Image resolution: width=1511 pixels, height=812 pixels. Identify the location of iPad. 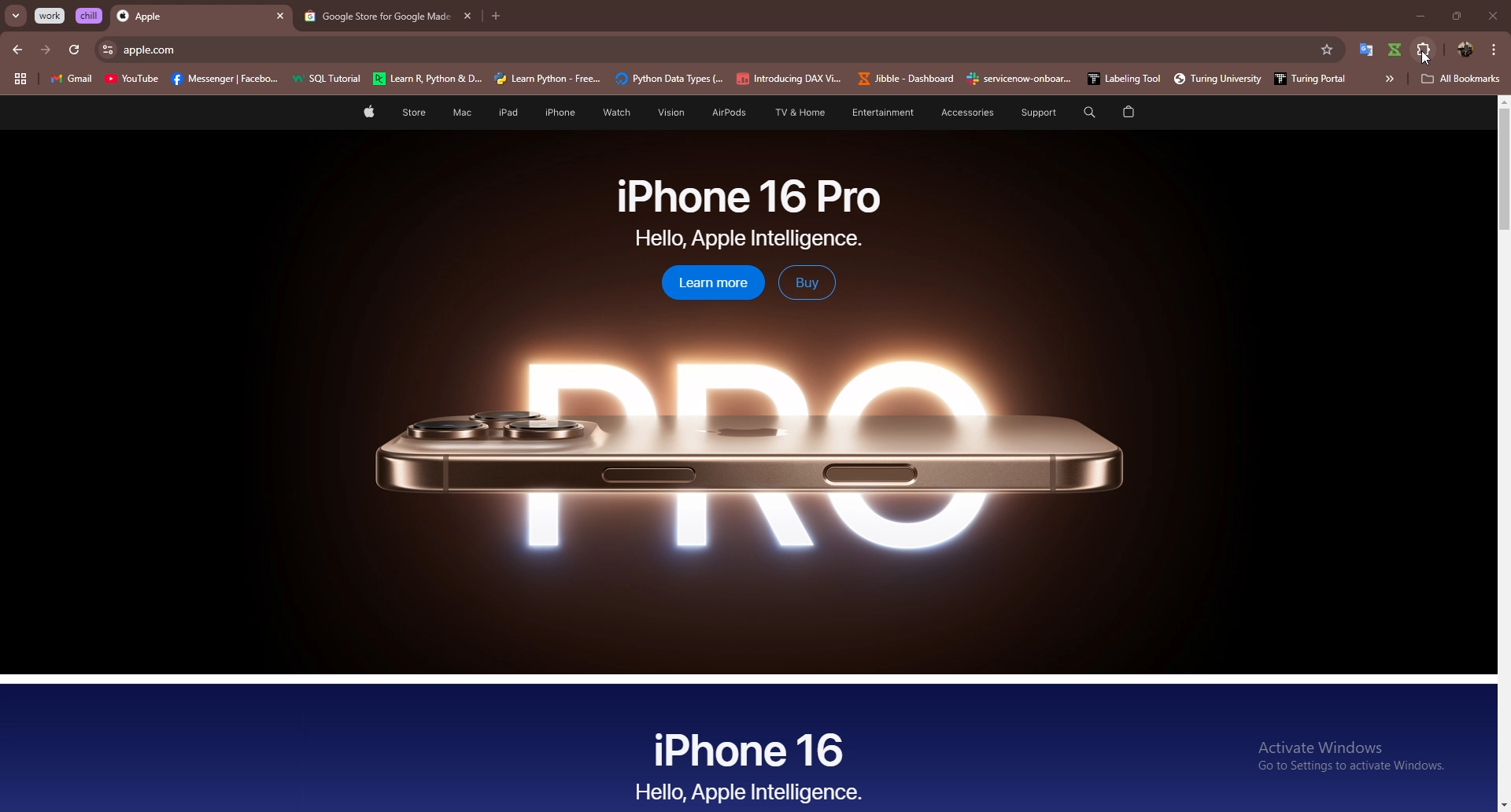
(505, 113).